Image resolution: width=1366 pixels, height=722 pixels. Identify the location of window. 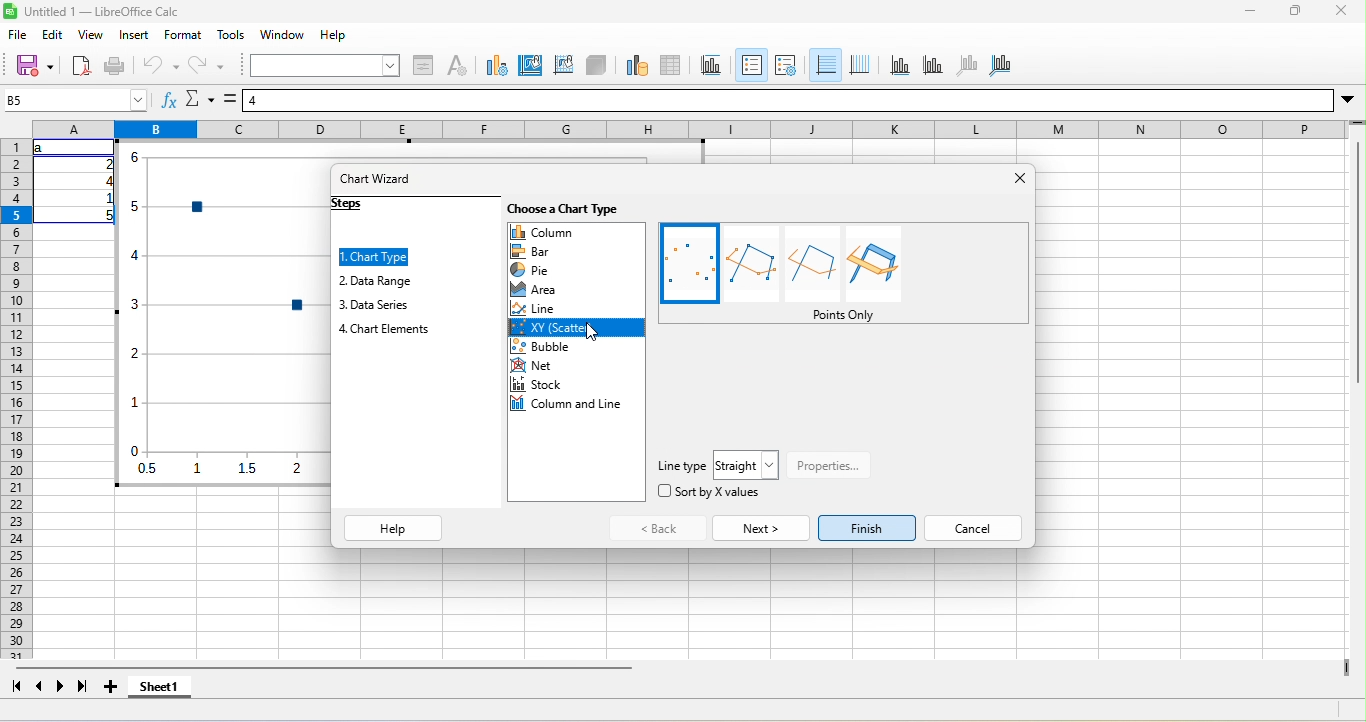
(282, 35).